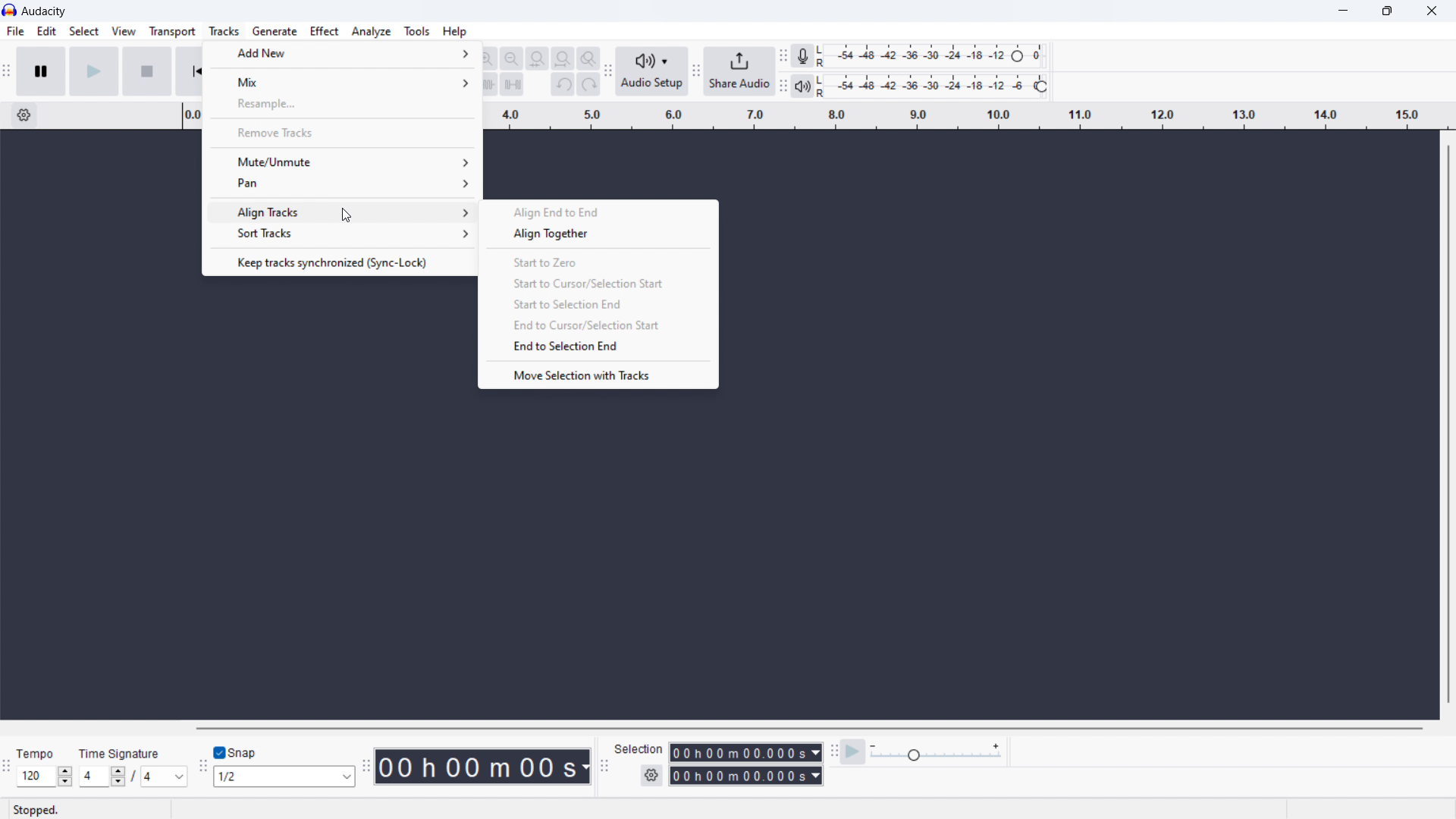 The width and height of the screenshot is (1456, 819). I want to click on effect, so click(324, 31).